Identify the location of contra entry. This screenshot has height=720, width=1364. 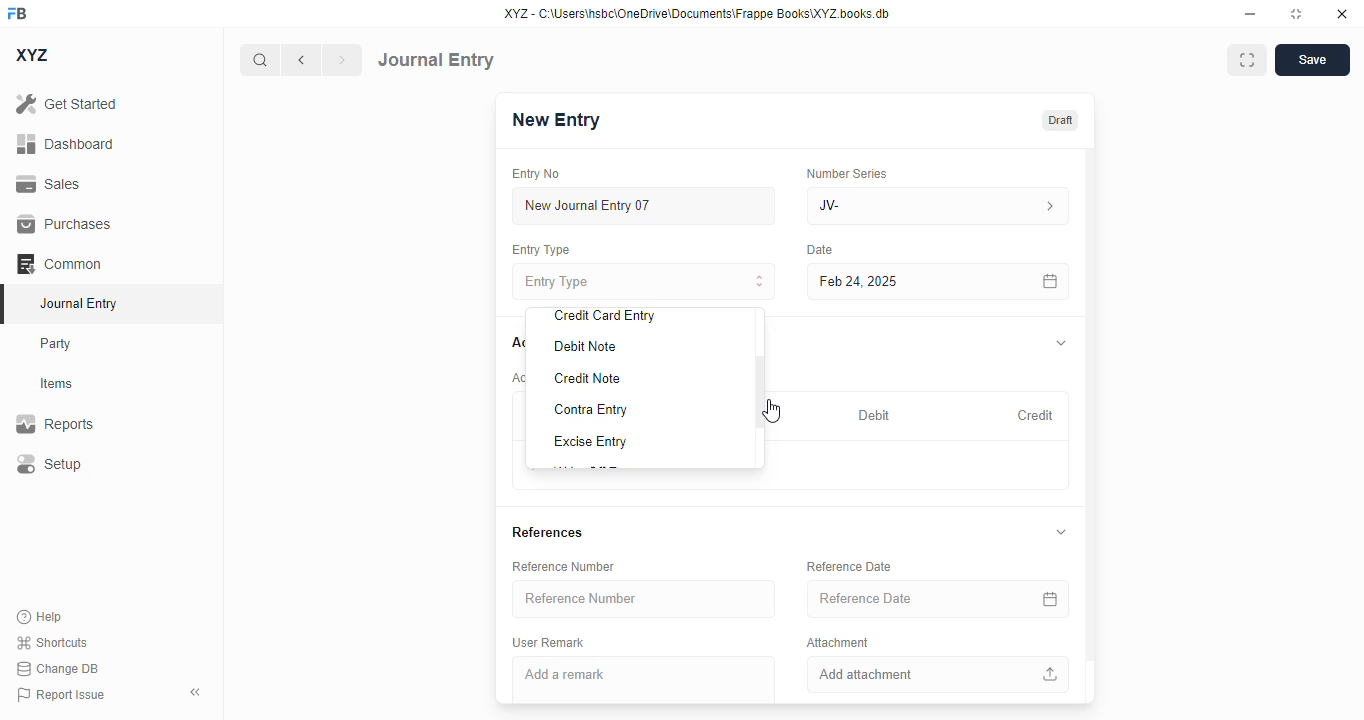
(591, 410).